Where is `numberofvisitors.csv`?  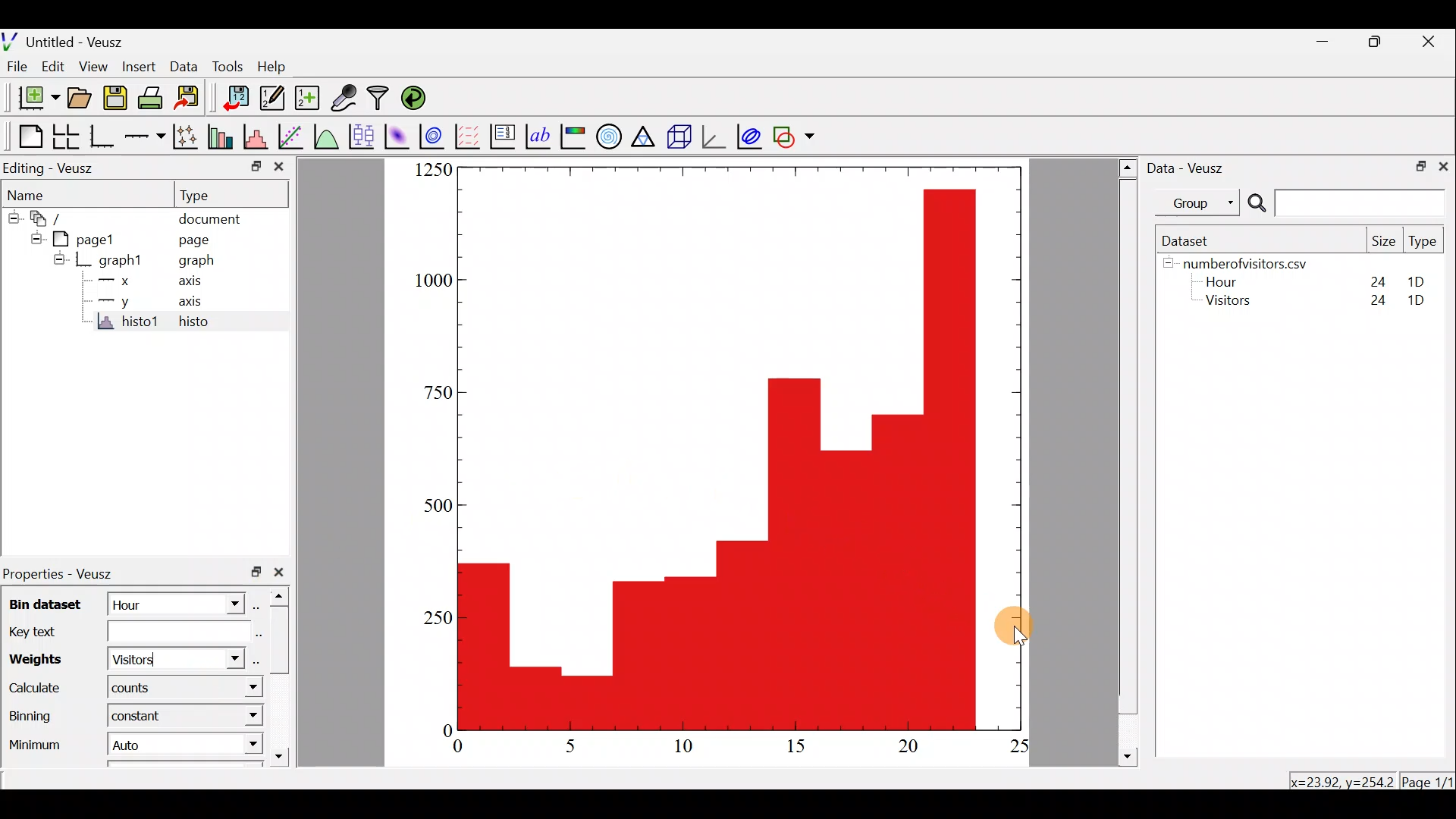
numberofvisitors.csv is located at coordinates (1254, 261).